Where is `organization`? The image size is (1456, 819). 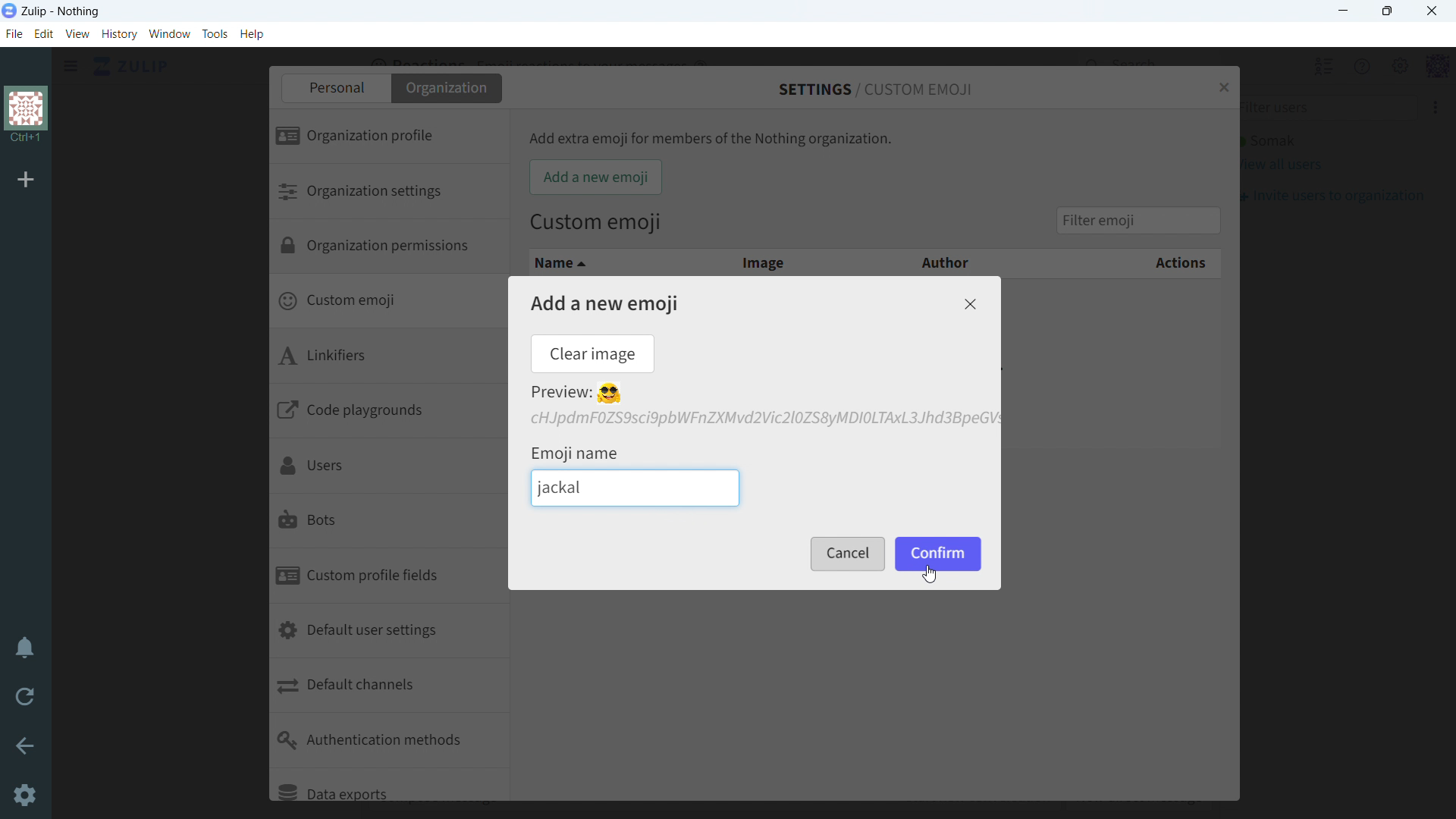
organization is located at coordinates (25, 116).